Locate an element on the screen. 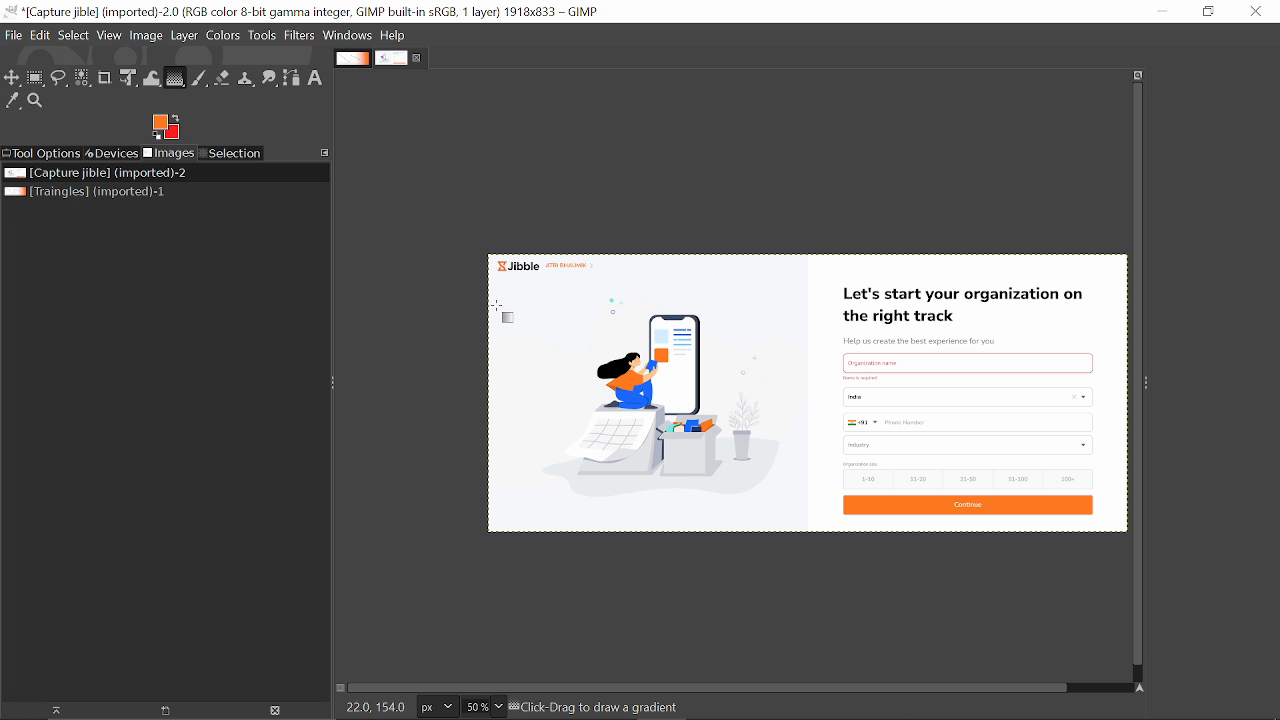  Zoom tool is located at coordinates (35, 100).